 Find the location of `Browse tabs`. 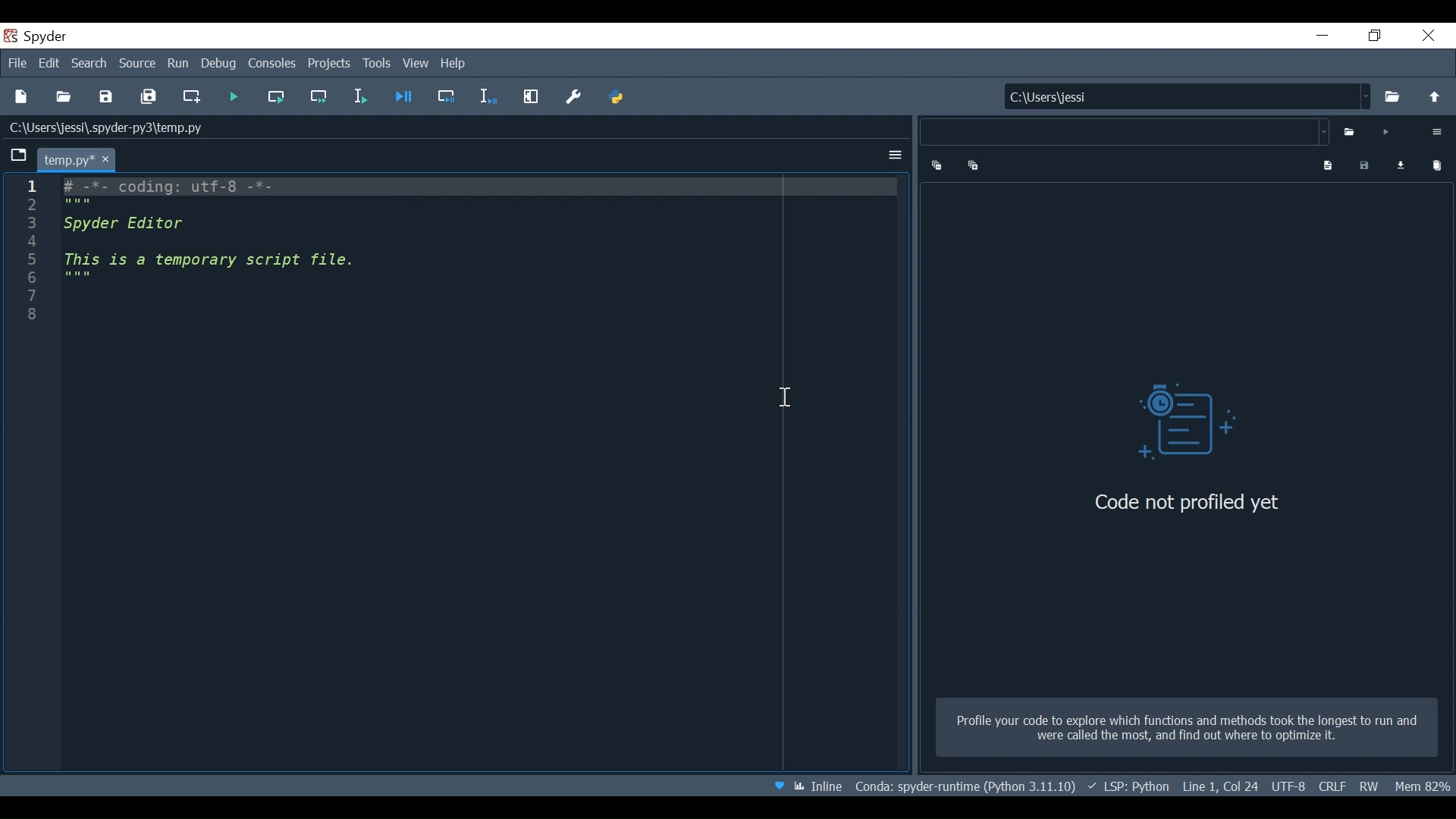

Browse tabs is located at coordinates (20, 158).